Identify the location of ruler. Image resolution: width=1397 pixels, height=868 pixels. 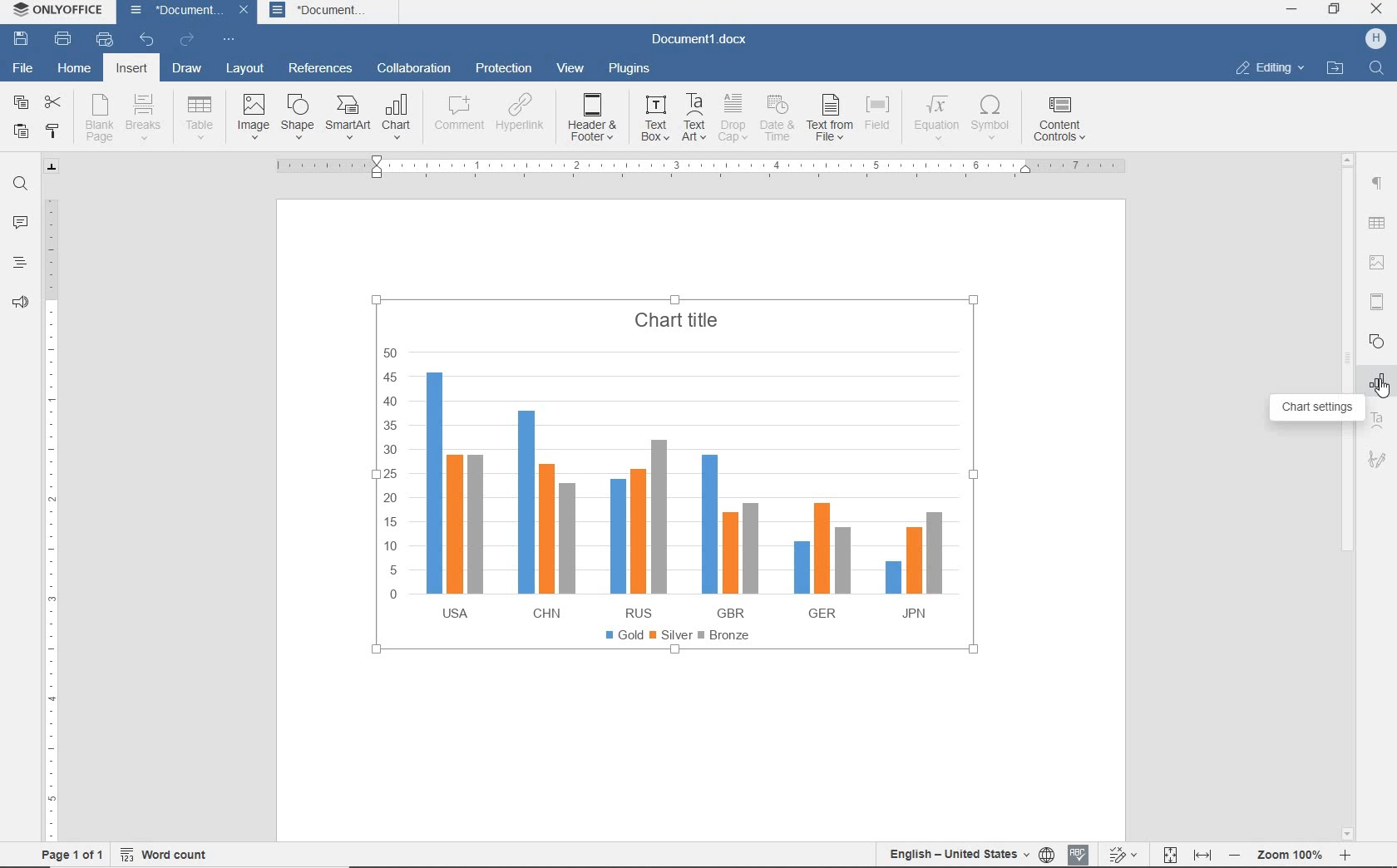
(51, 513).